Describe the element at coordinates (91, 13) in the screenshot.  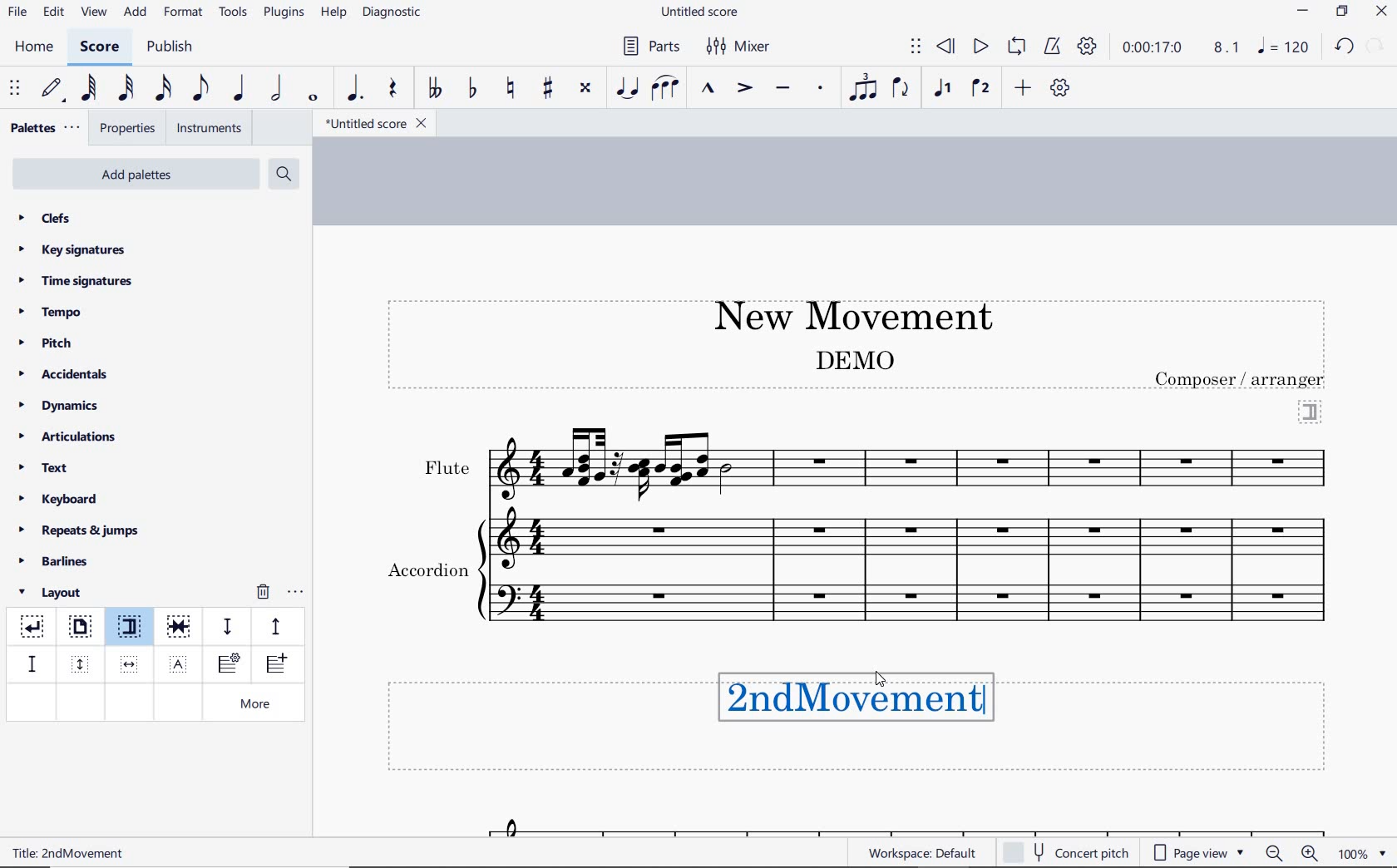
I see `view` at that location.